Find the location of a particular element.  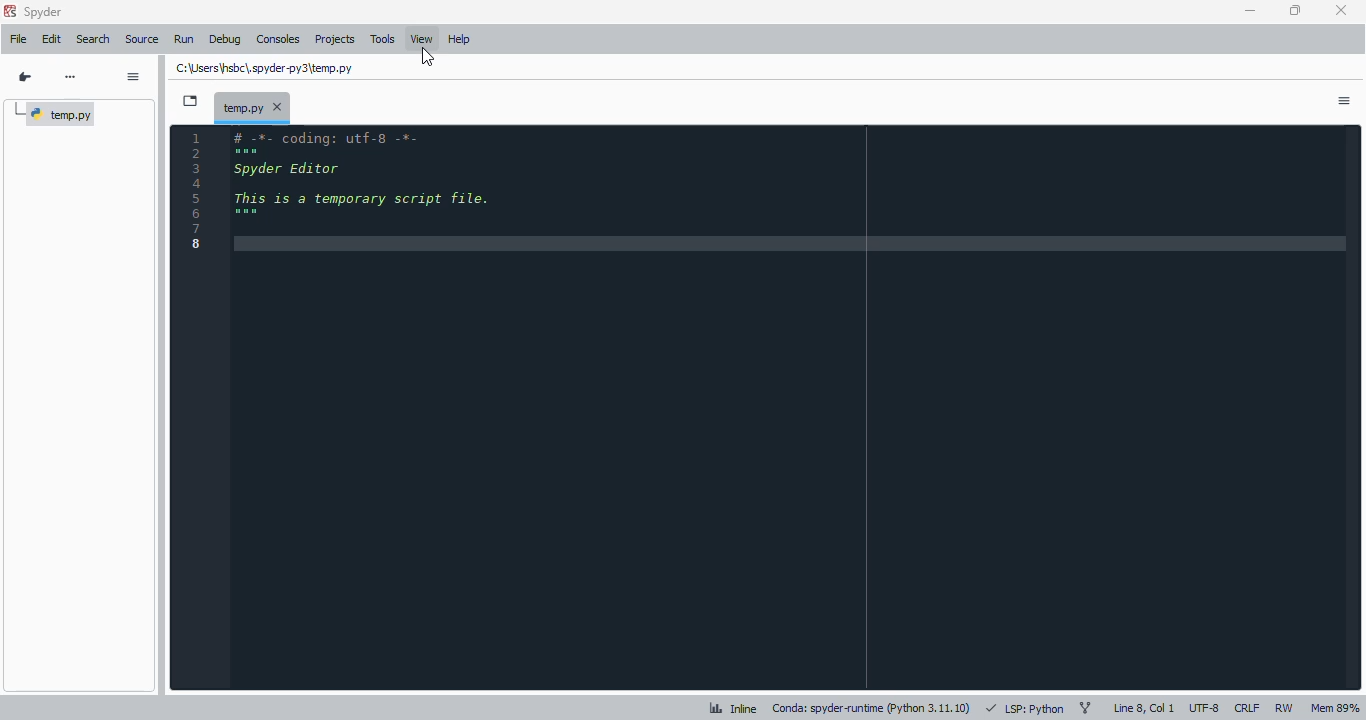

close is located at coordinates (1343, 10).